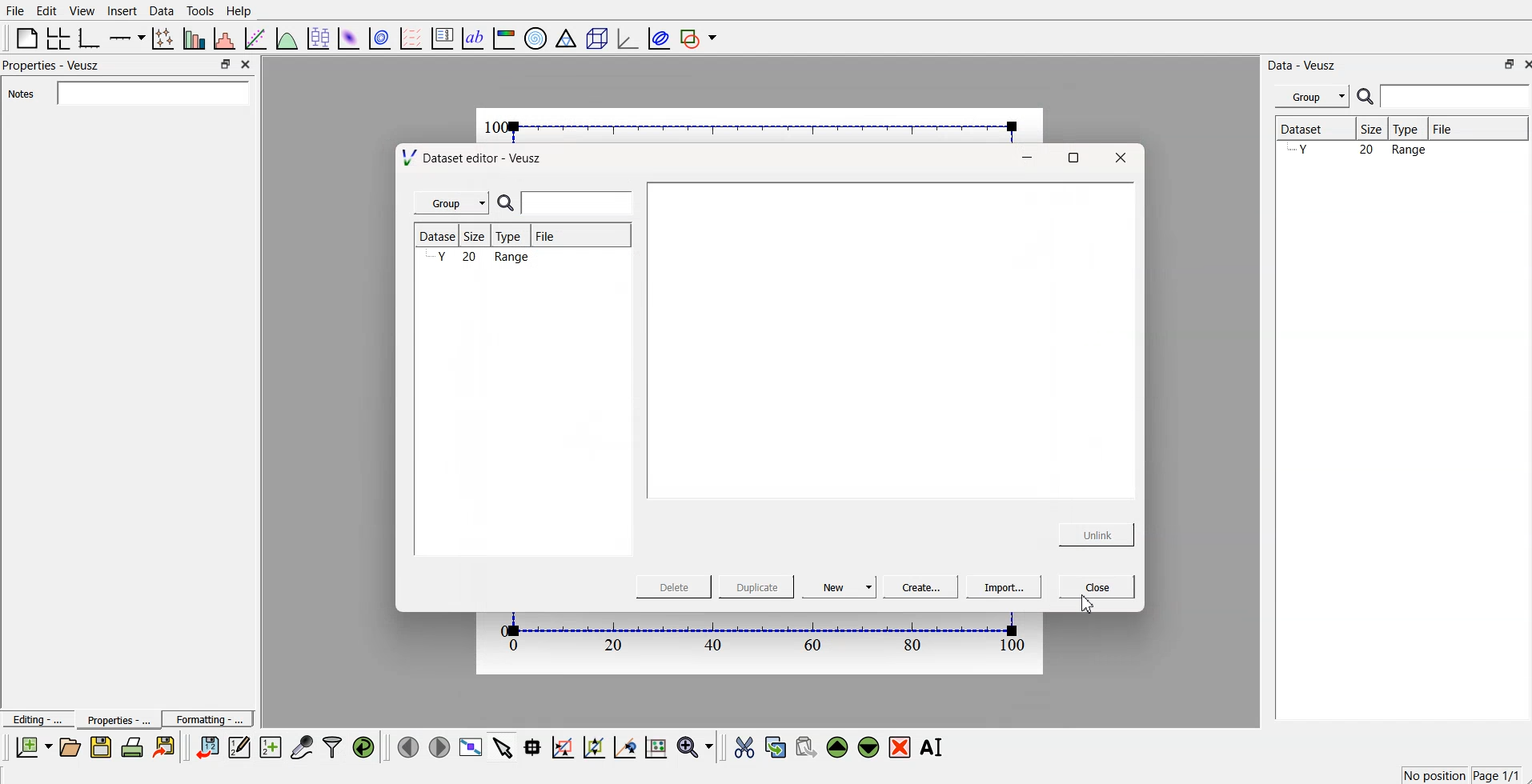 The image size is (1532, 784). Describe the element at coordinates (318, 37) in the screenshot. I see `plot box plots` at that location.